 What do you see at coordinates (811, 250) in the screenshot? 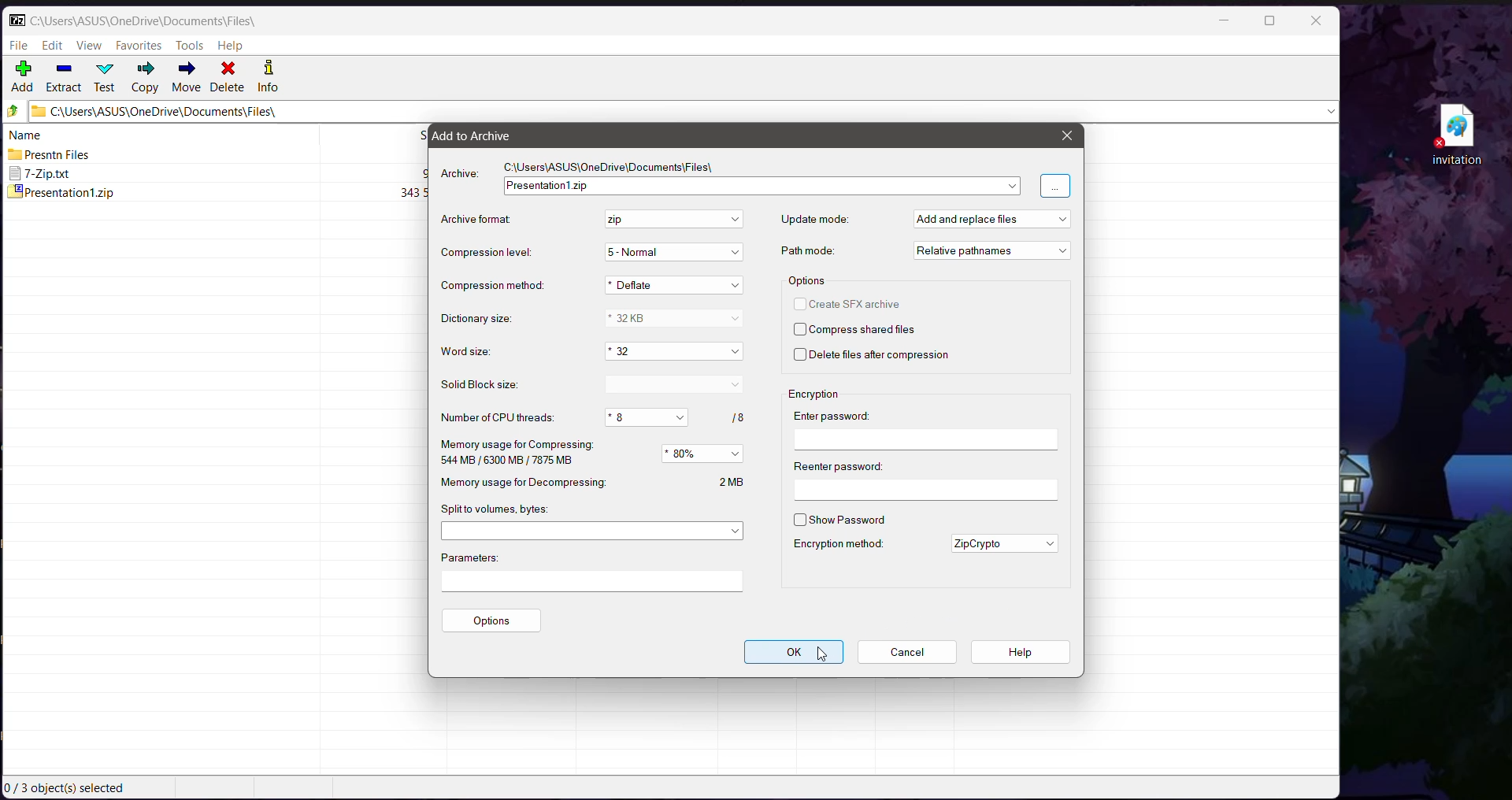
I see `Path mode` at bounding box center [811, 250].